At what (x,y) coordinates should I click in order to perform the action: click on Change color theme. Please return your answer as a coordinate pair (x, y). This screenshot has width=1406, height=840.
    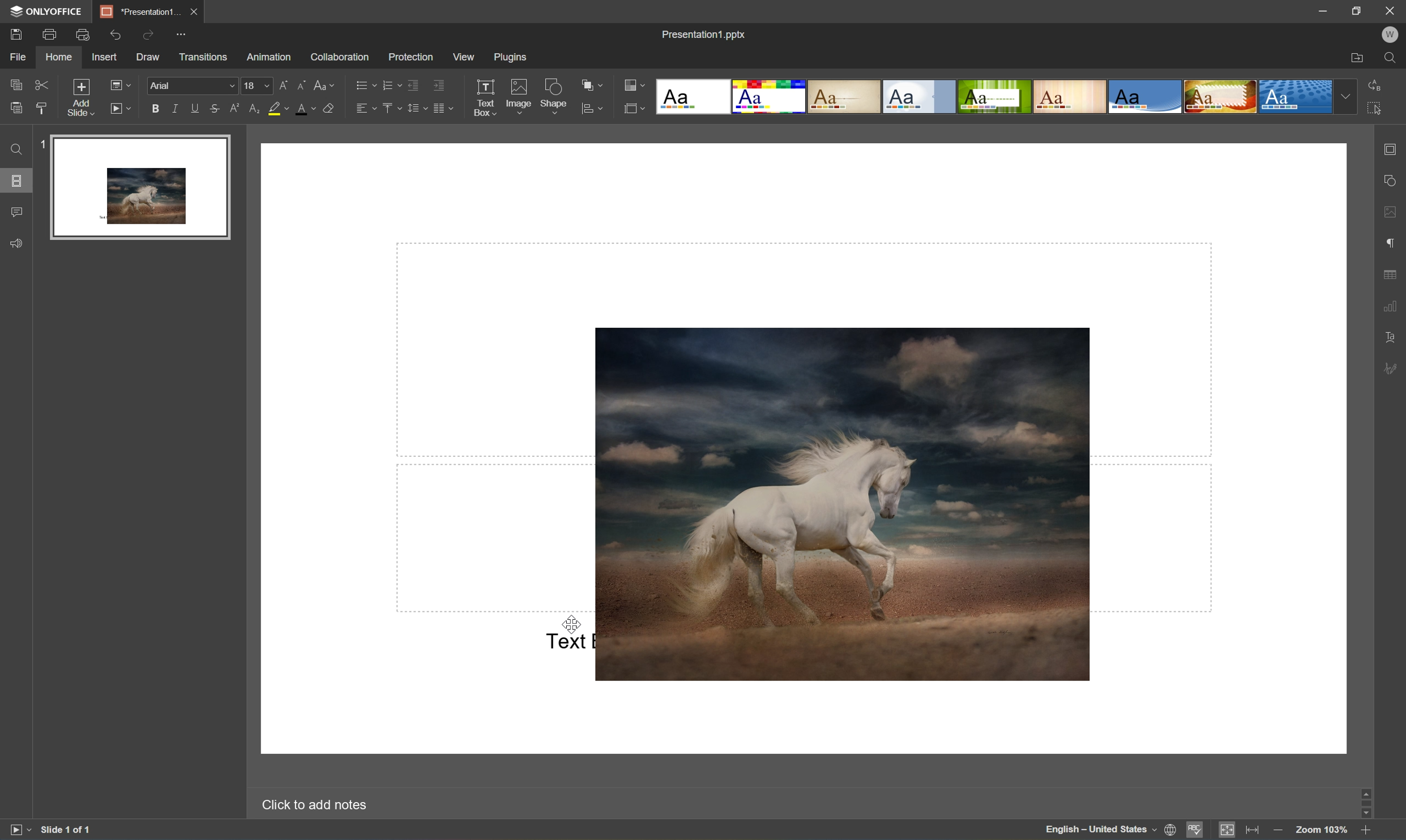
    Looking at the image, I should click on (635, 85).